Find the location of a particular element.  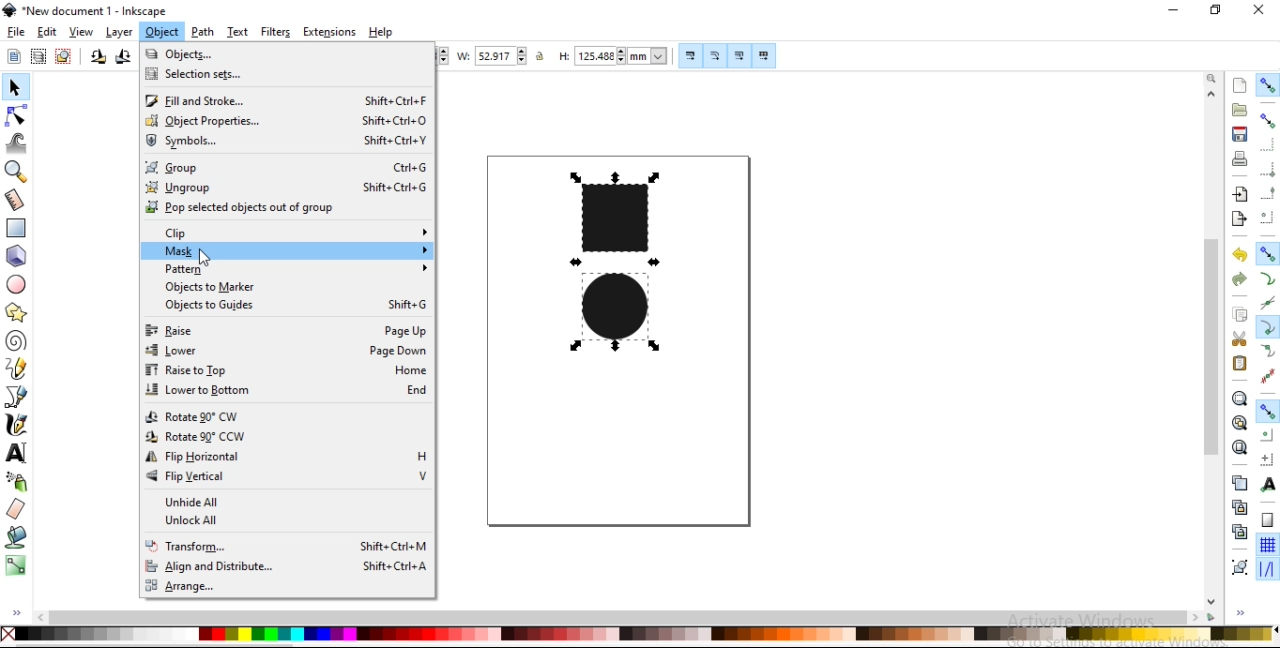

copy is located at coordinates (1241, 316).